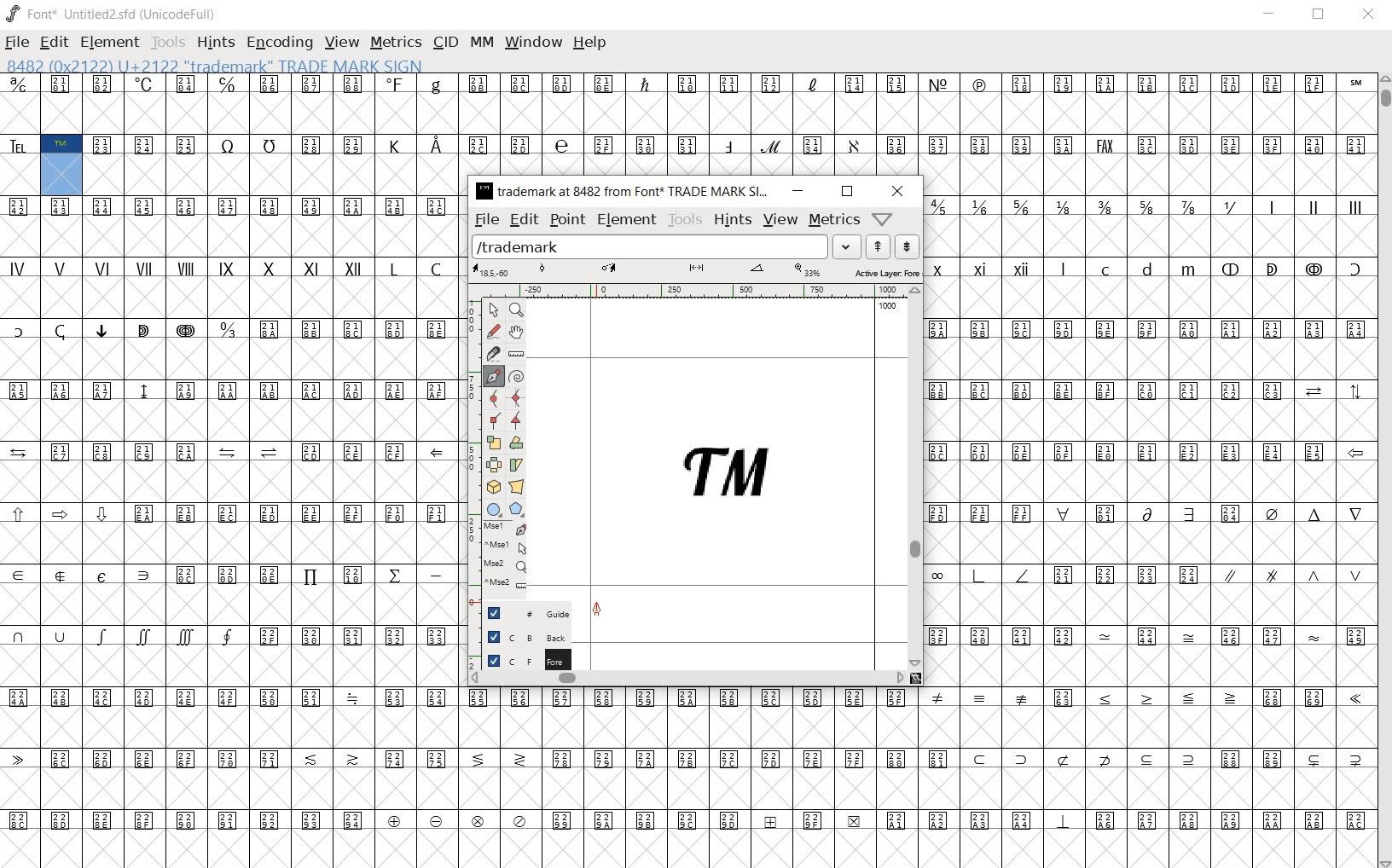 The width and height of the screenshot is (1392, 868). I want to click on roman characters, so click(1314, 225).